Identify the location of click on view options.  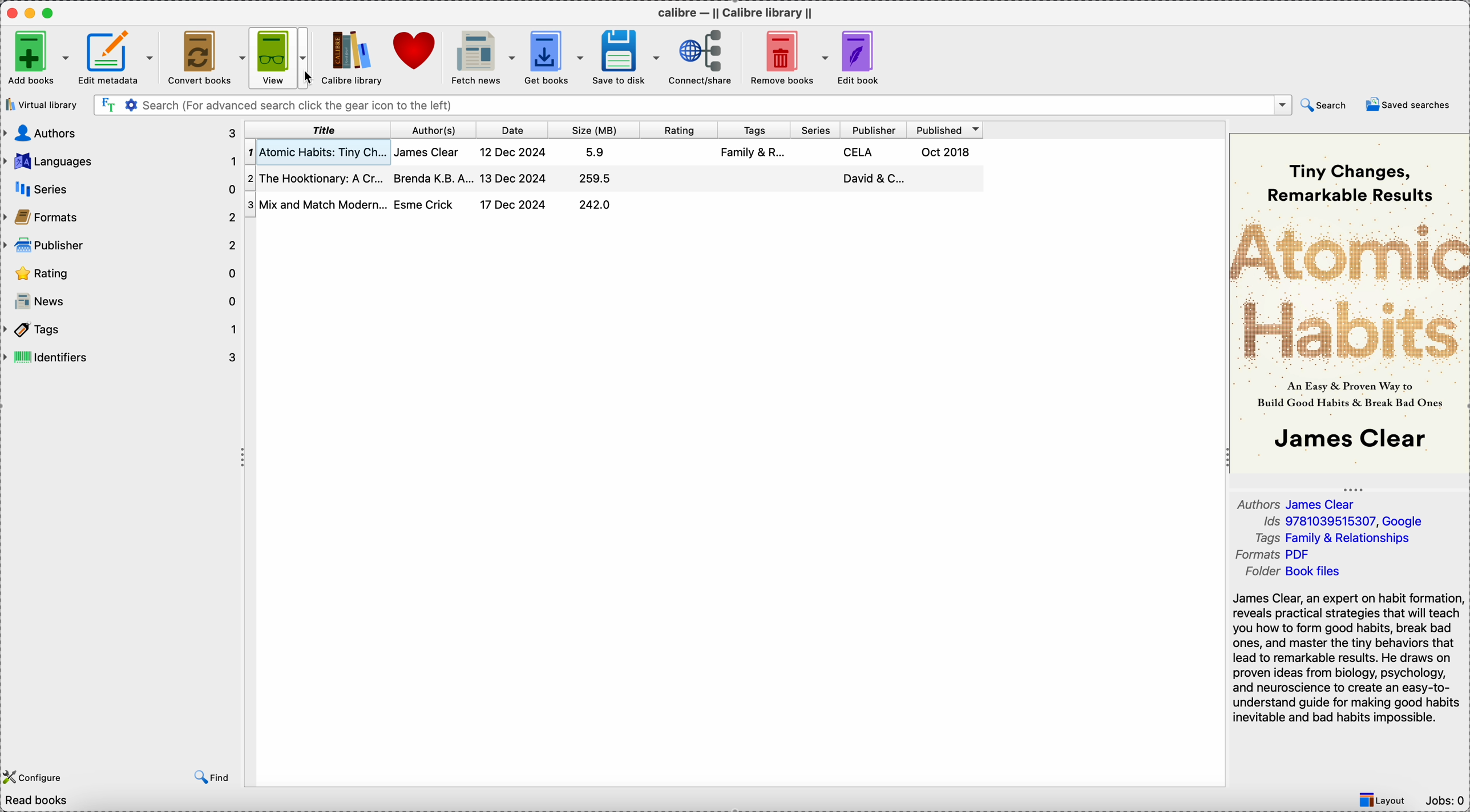
(284, 58).